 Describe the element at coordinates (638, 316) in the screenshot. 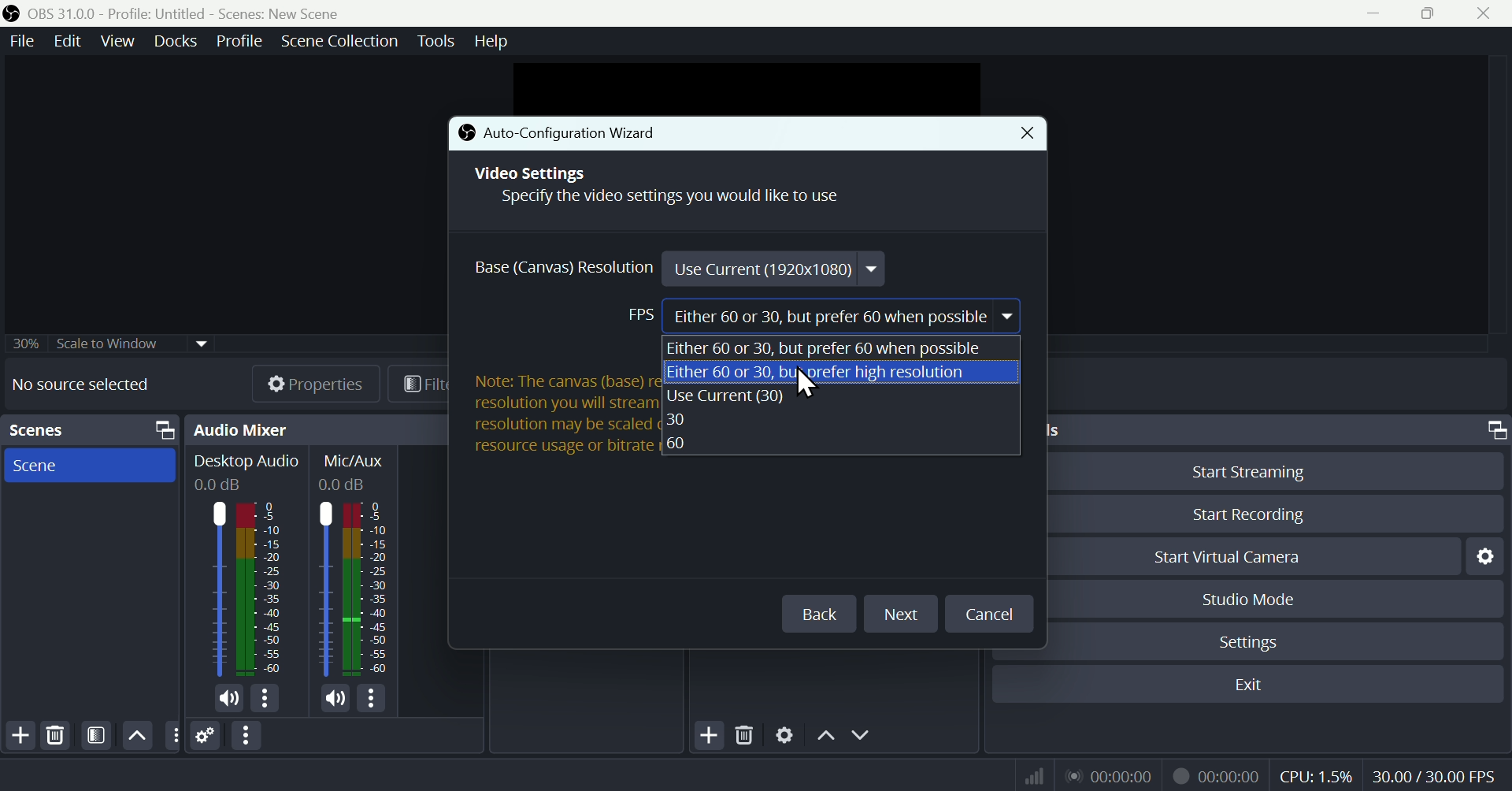

I see `FPS` at that location.